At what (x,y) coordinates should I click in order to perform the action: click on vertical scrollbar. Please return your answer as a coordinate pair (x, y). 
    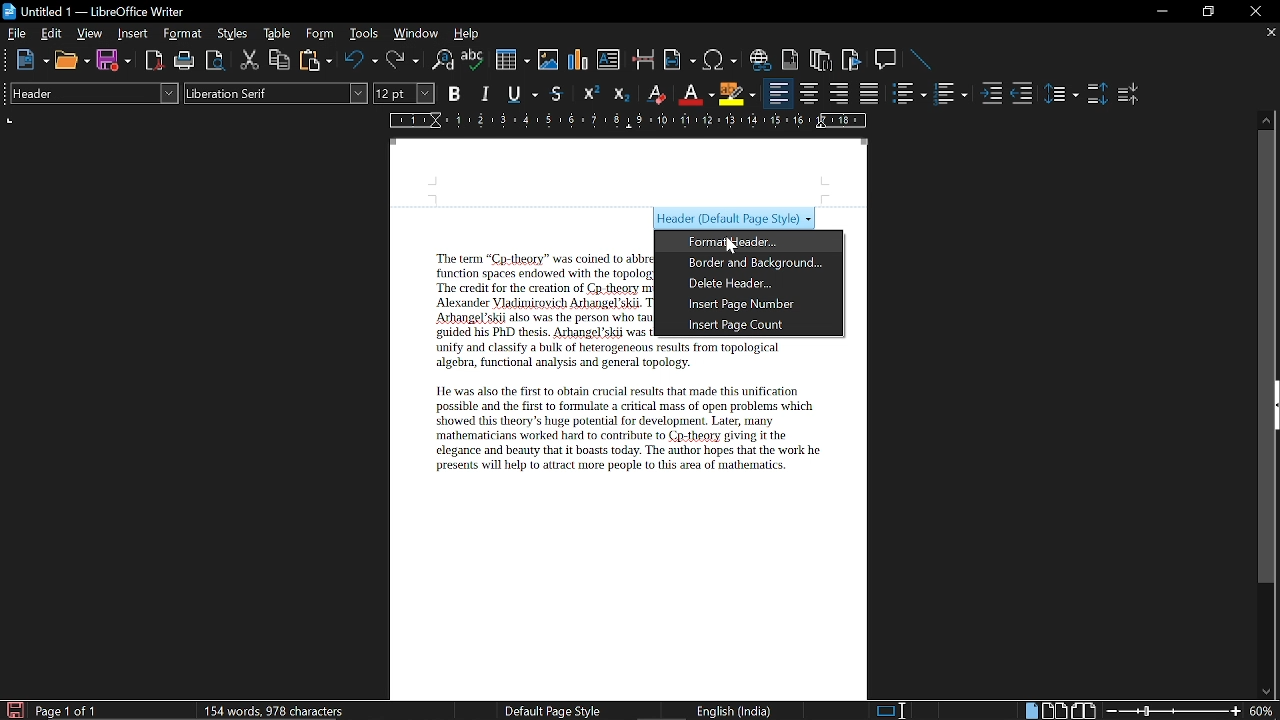
    Looking at the image, I should click on (1263, 357).